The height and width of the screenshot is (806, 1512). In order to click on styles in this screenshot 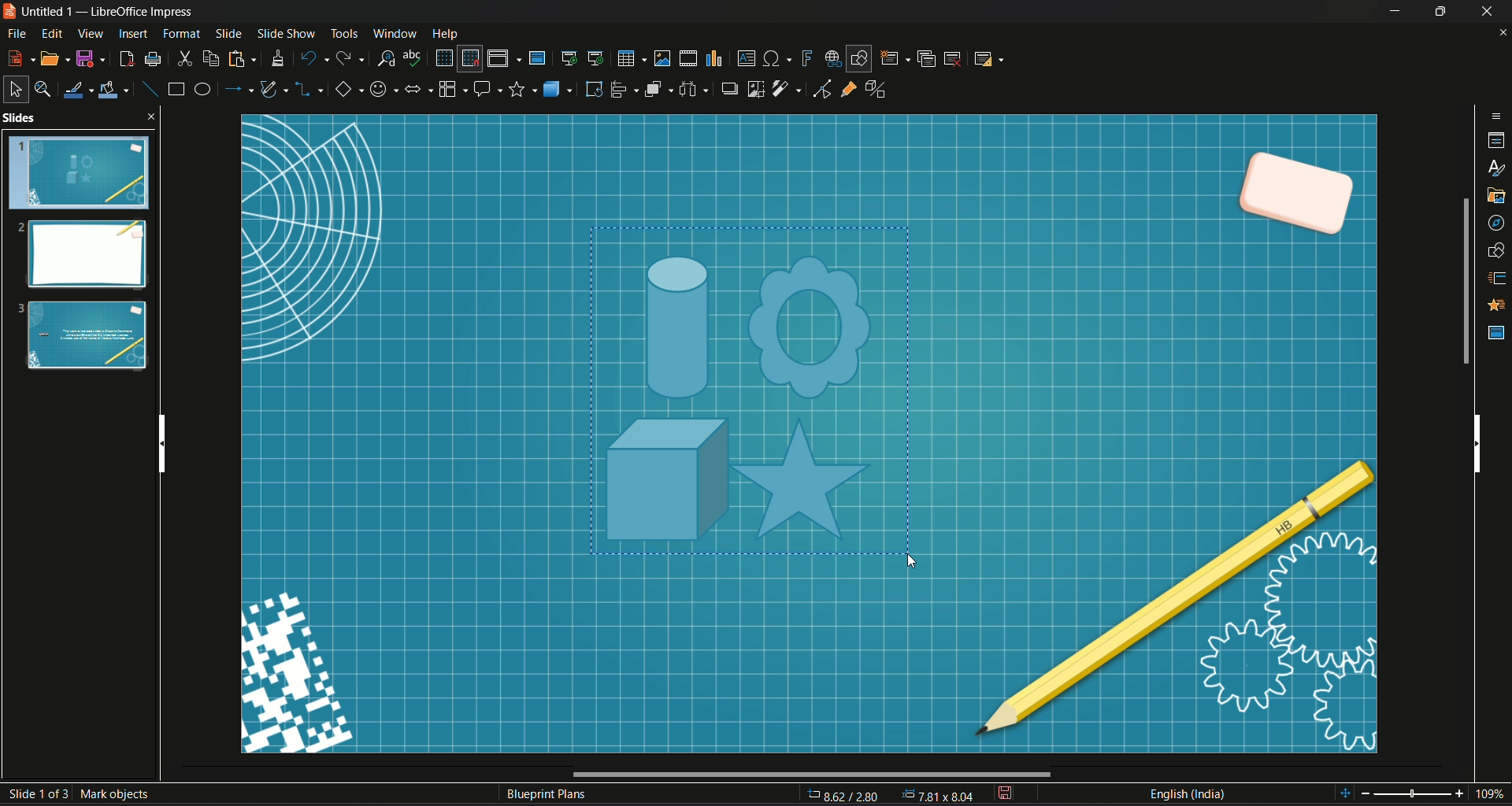, I will do `click(1498, 170)`.